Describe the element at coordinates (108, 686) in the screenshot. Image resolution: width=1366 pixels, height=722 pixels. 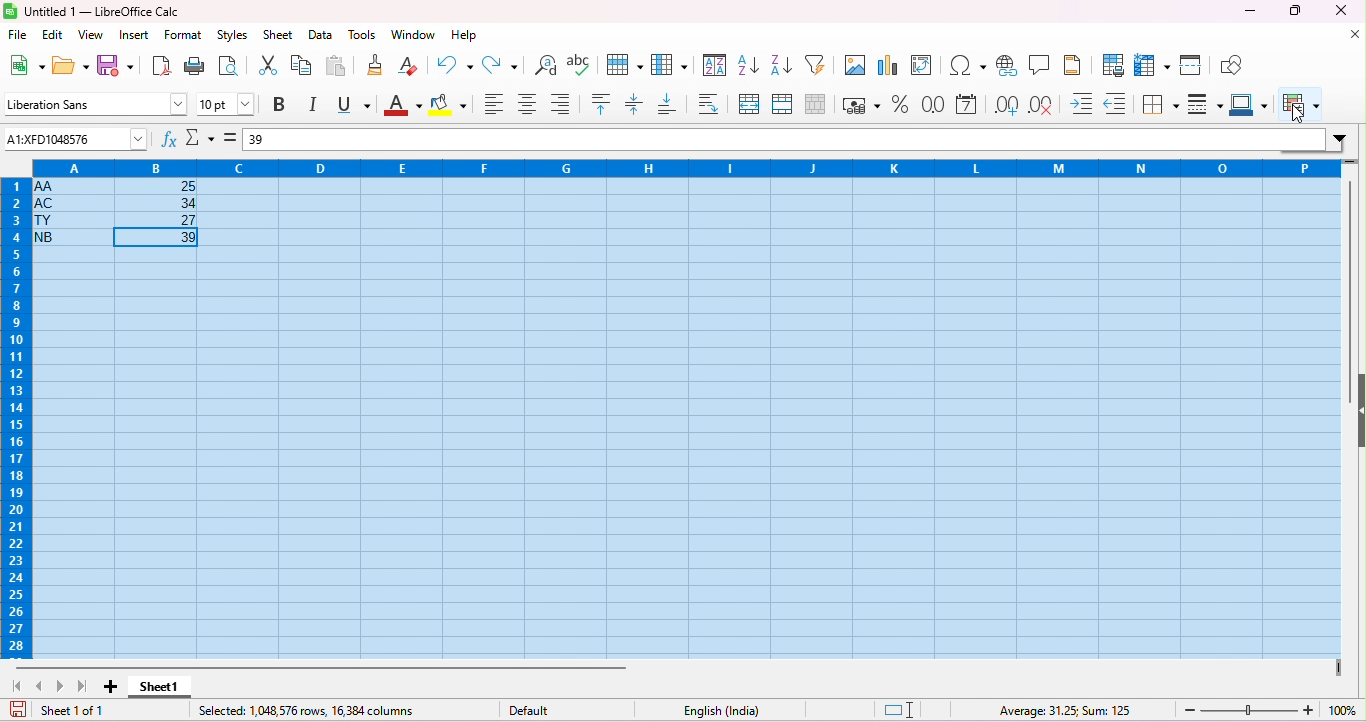
I see `add sheet1` at that location.